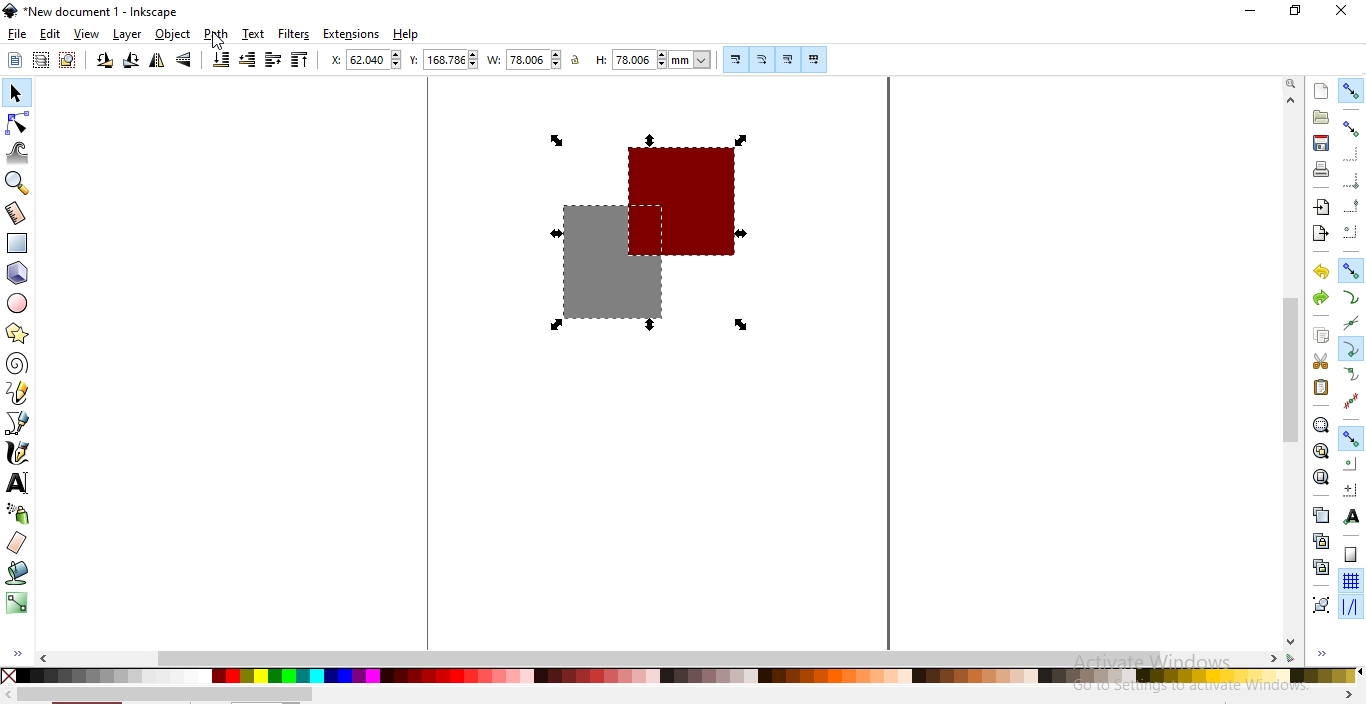  Describe the element at coordinates (1296, 12) in the screenshot. I see `restore down` at that location.